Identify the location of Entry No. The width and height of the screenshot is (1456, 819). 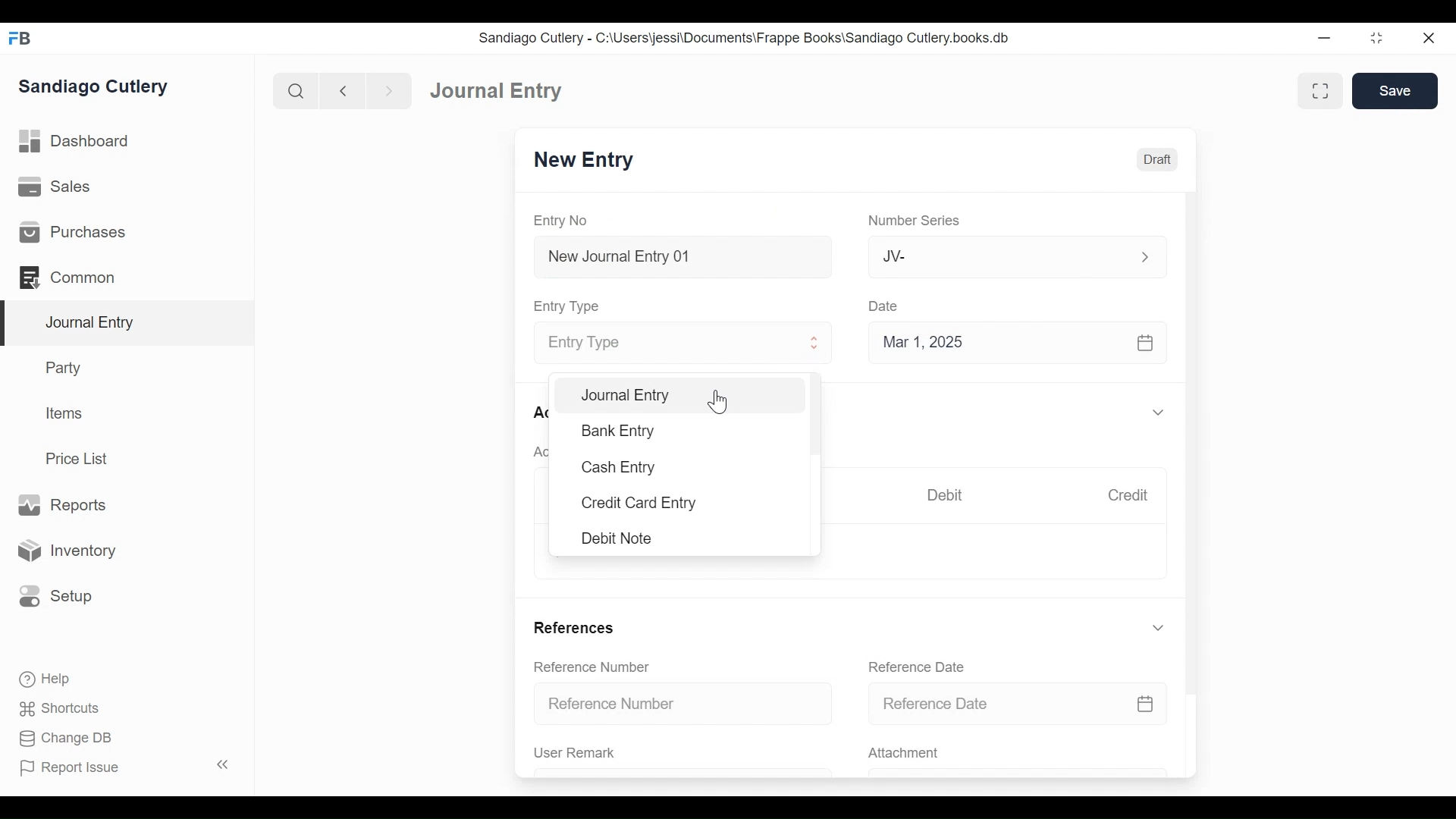
(566, 221).